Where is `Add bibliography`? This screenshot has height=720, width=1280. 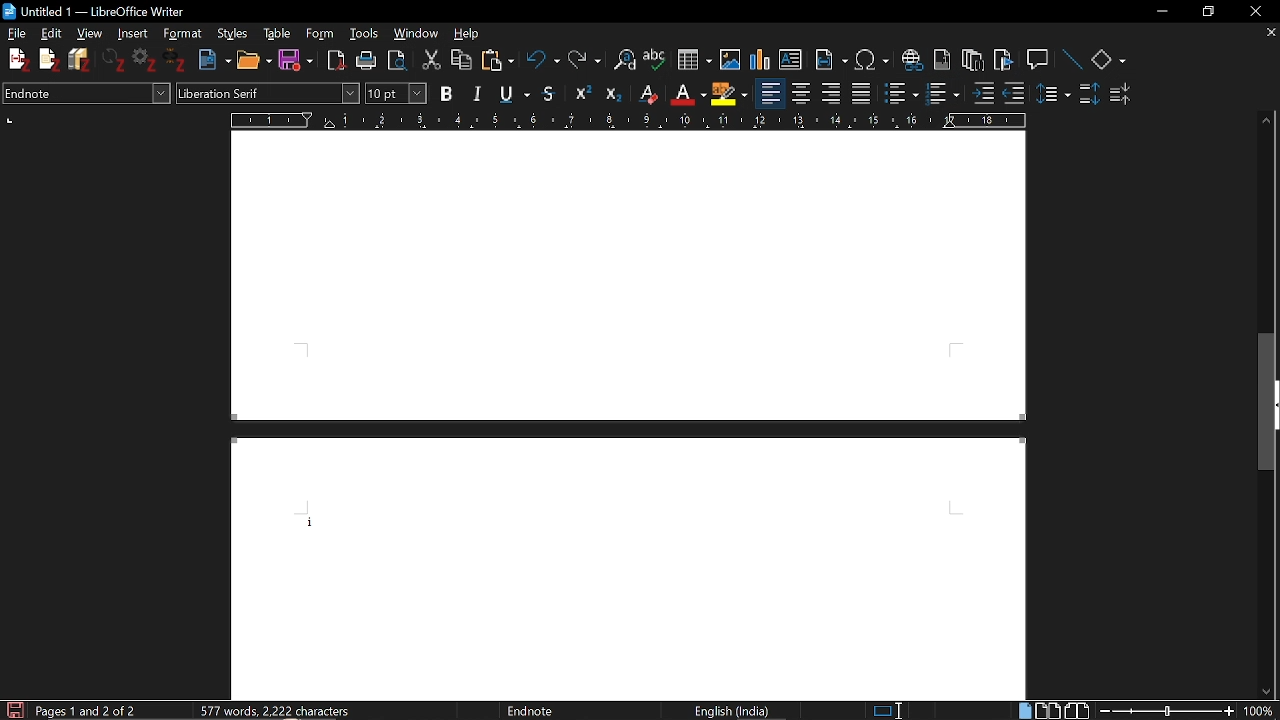 Add bibliography is located at coordinates (82, 59).